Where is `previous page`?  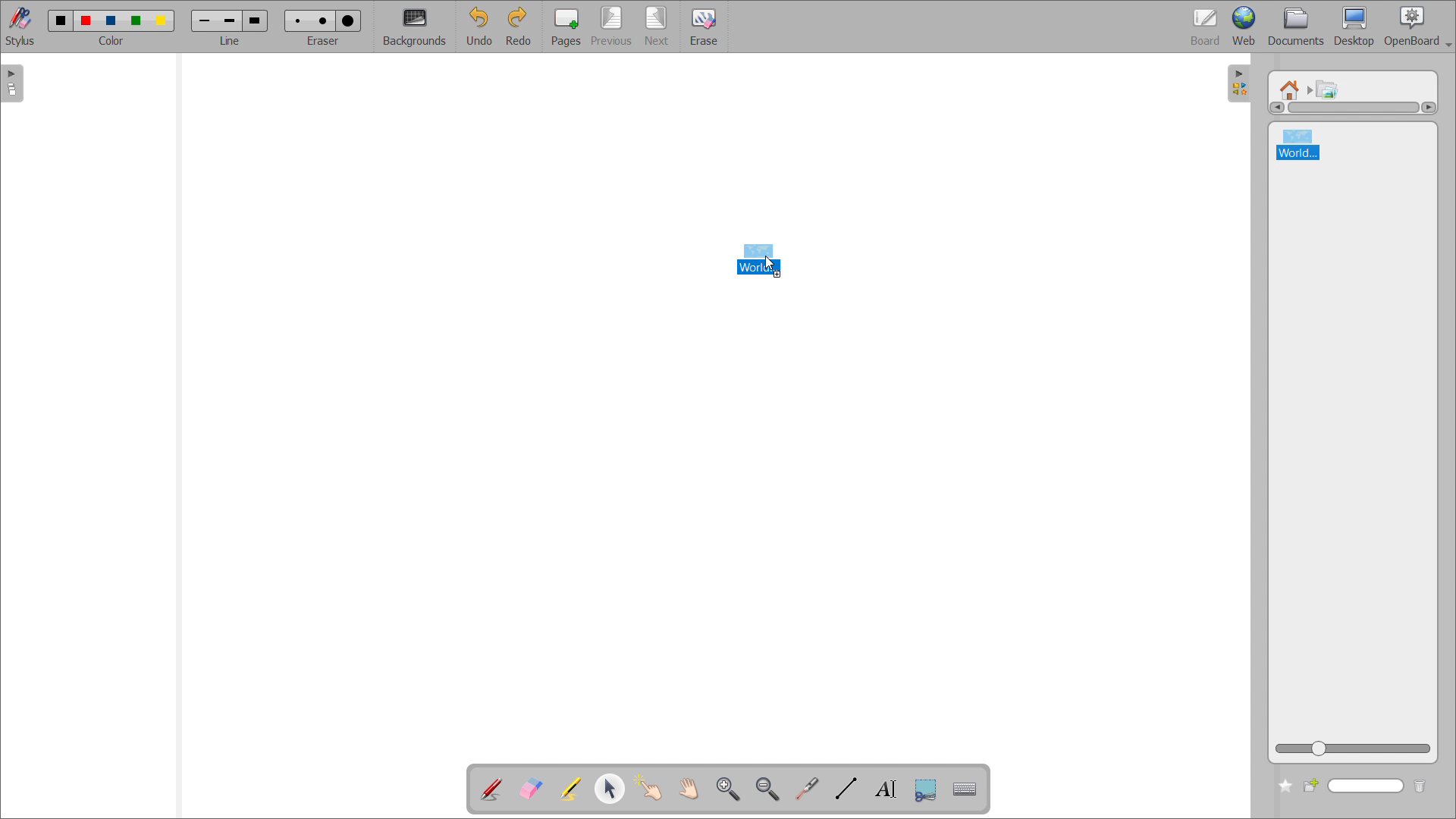
previous page is located at coordinates (612, 25).